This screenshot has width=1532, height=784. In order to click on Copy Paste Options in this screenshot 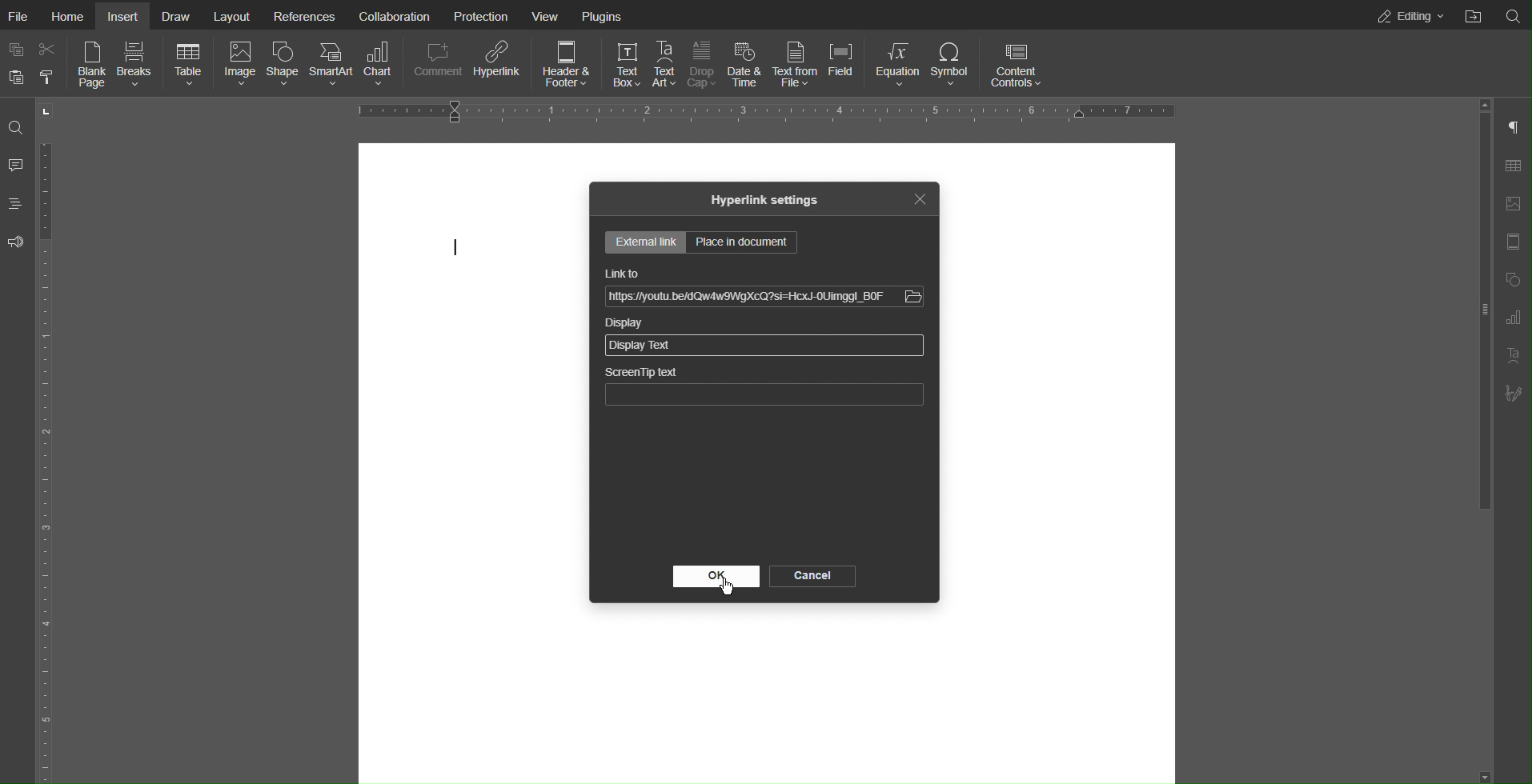, I will do `click(30, 64)`.